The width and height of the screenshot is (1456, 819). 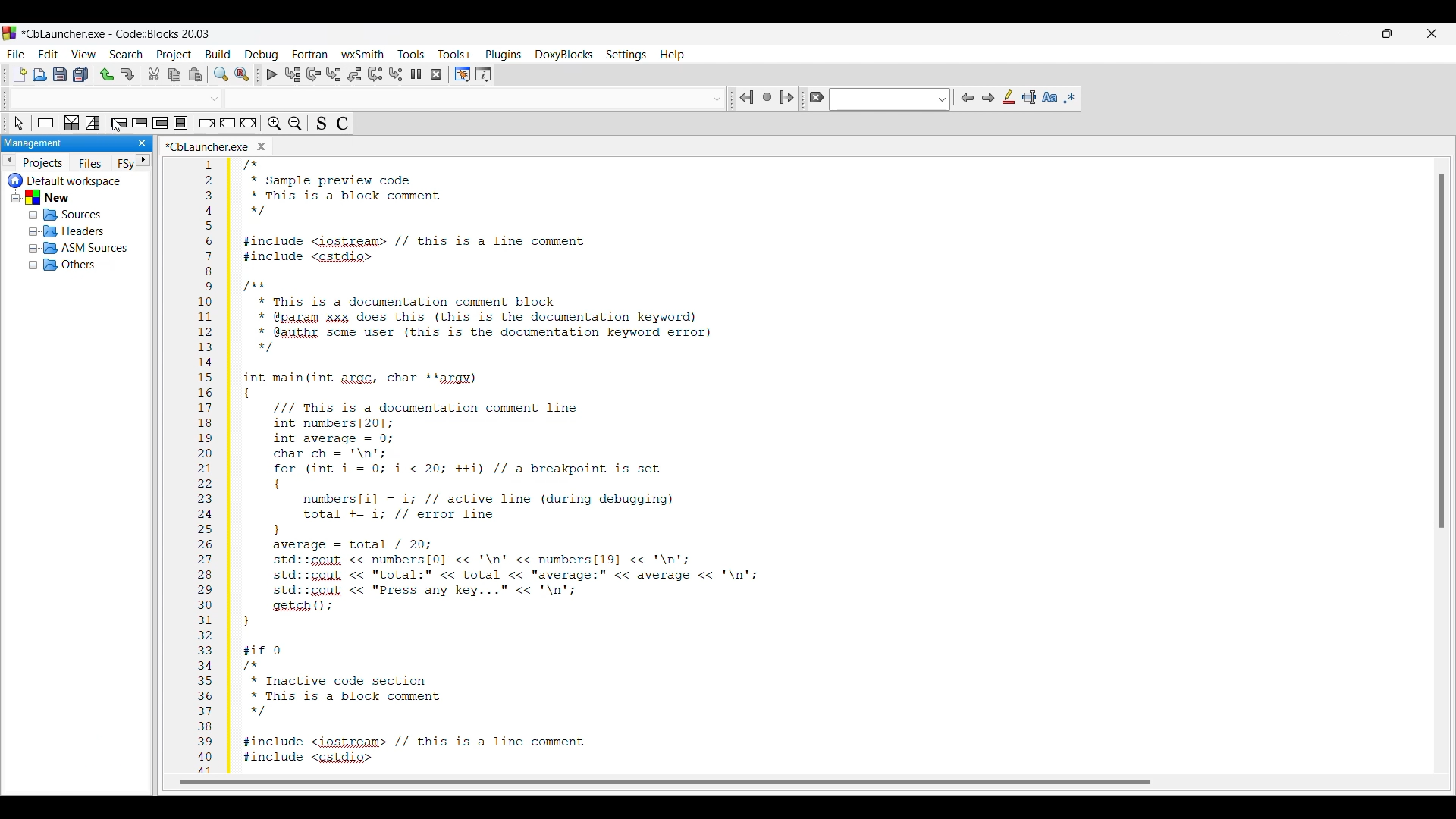 I want to click on Stop debugger, so click(x=436, y=74).